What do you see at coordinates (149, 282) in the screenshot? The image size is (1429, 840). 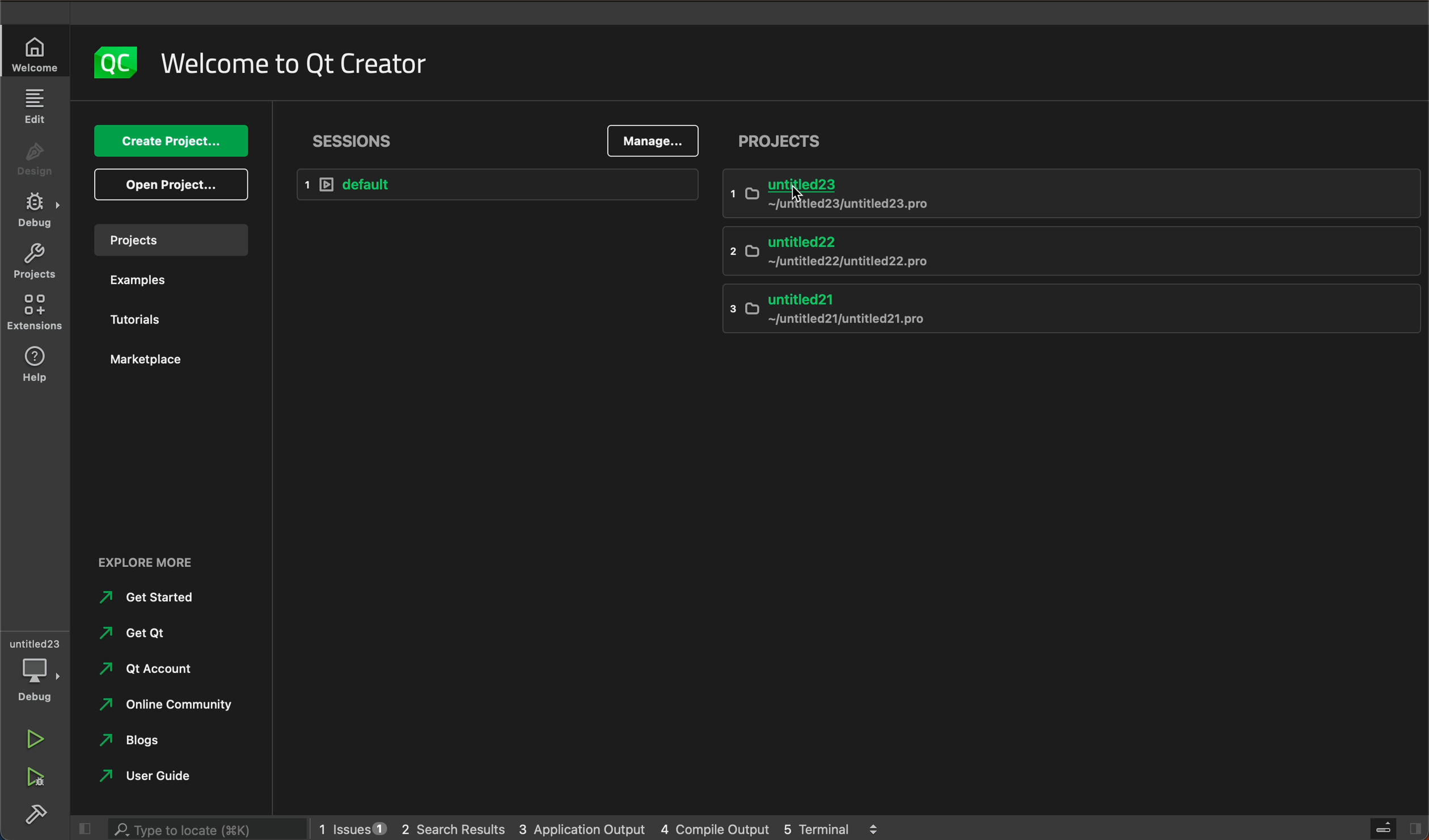 I see `examples` at bounding box center [149, 282].